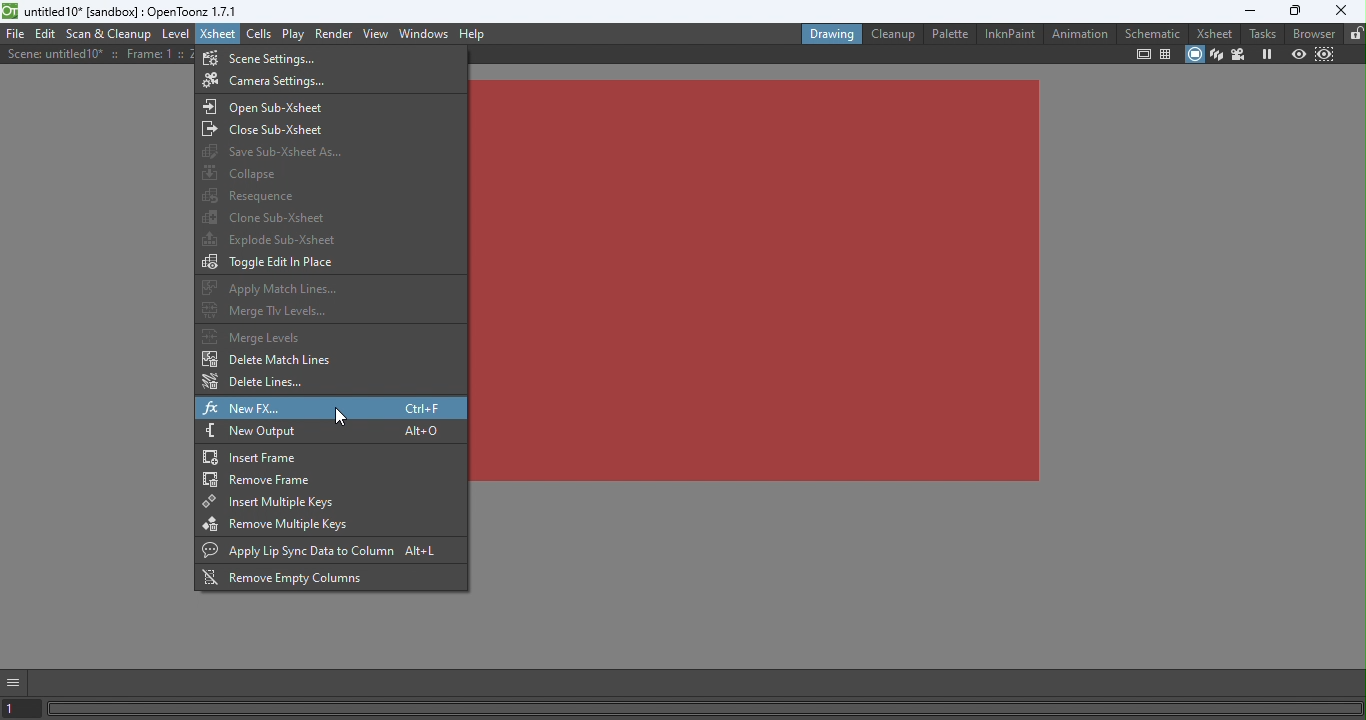  Describe the element at coordinates (266, 152) in the screenshot. I see `Save sub-xsheet` at that location.